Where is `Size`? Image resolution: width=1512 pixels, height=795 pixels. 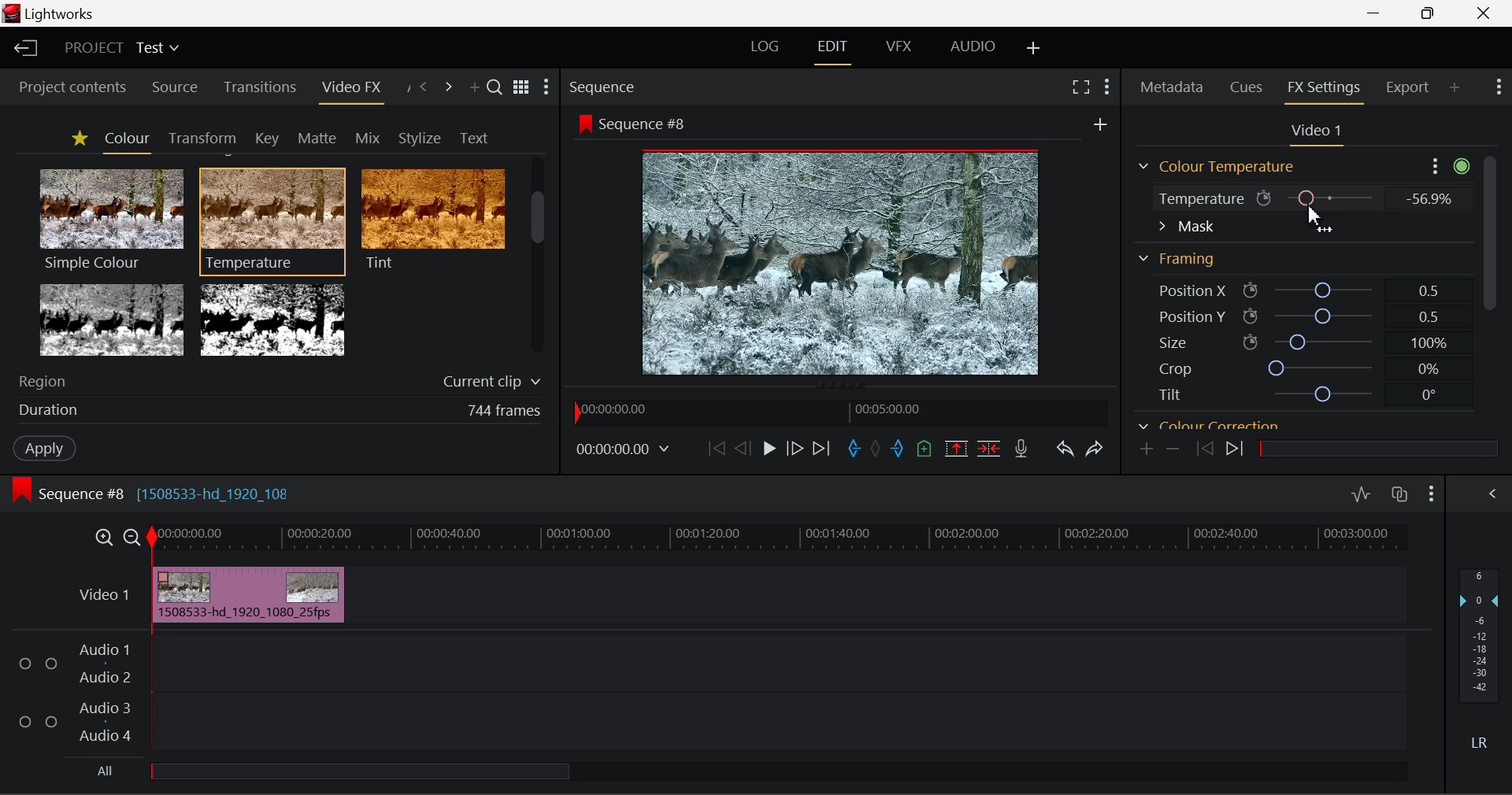
Size is located at coordinates (1171, 341).